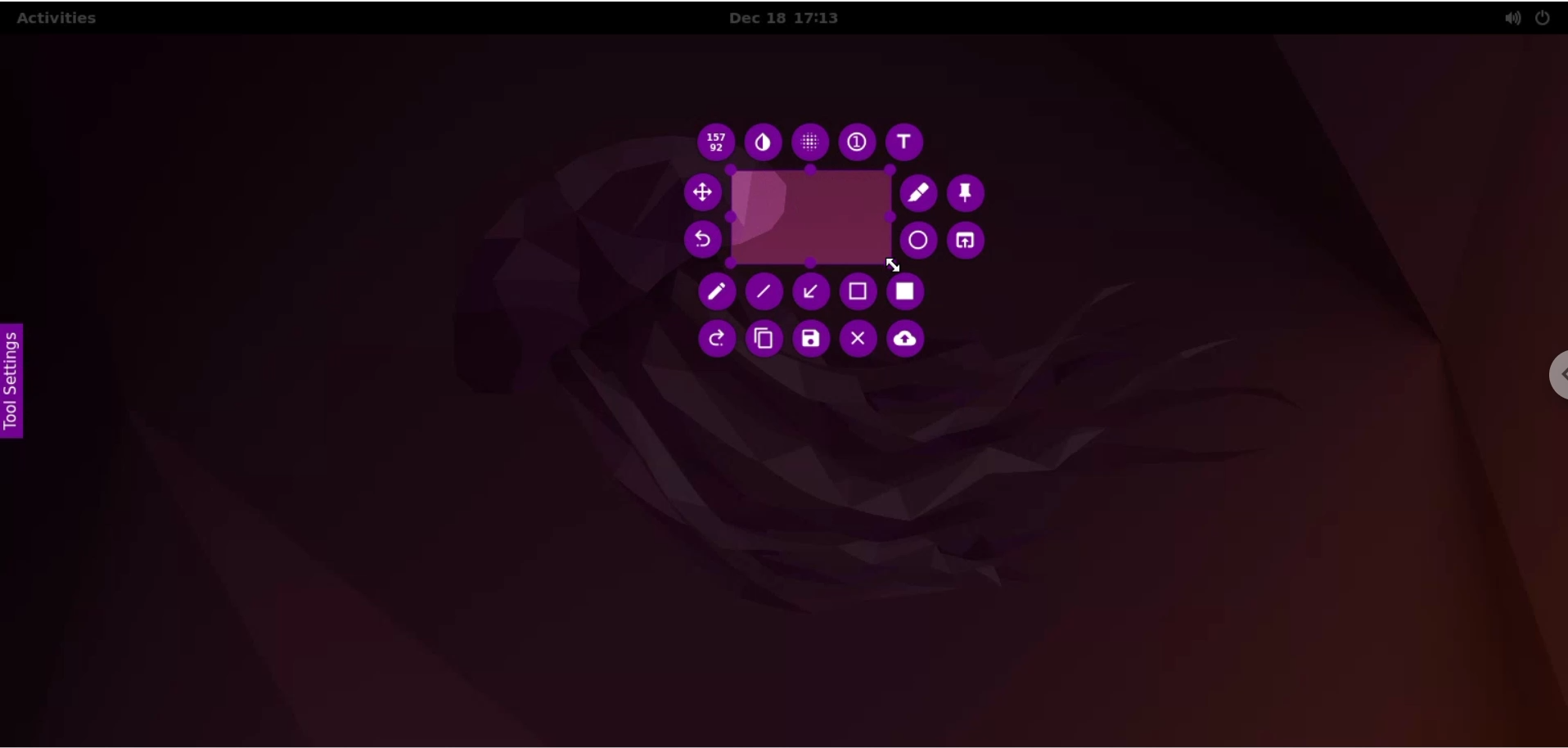 The image size is (1568, 748). Describe the element at coordinates (906, 142) in the screenshot. I see `text` at that location.